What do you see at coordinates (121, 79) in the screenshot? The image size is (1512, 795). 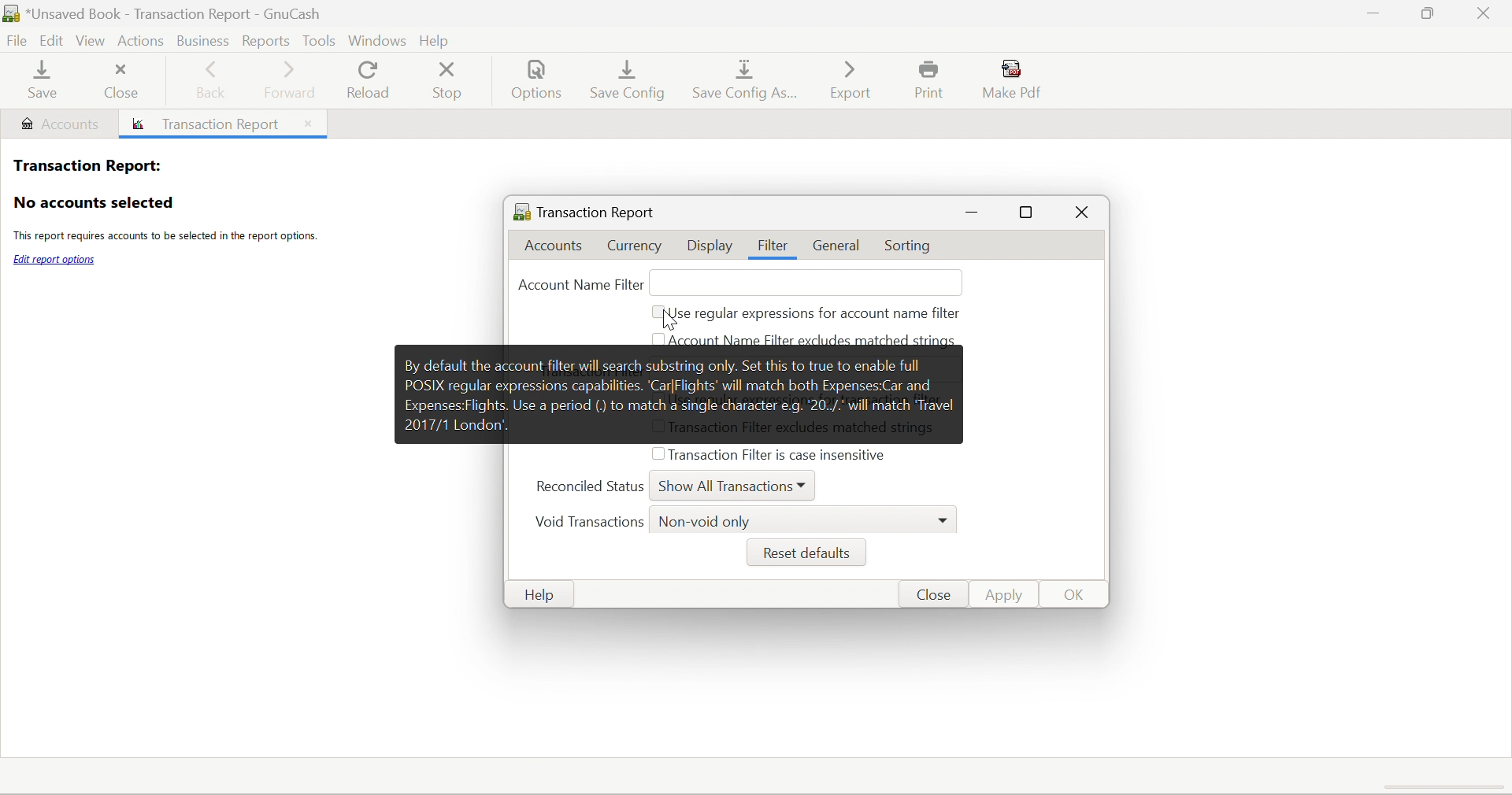 I see `Close` at bounding box center [121, 79].